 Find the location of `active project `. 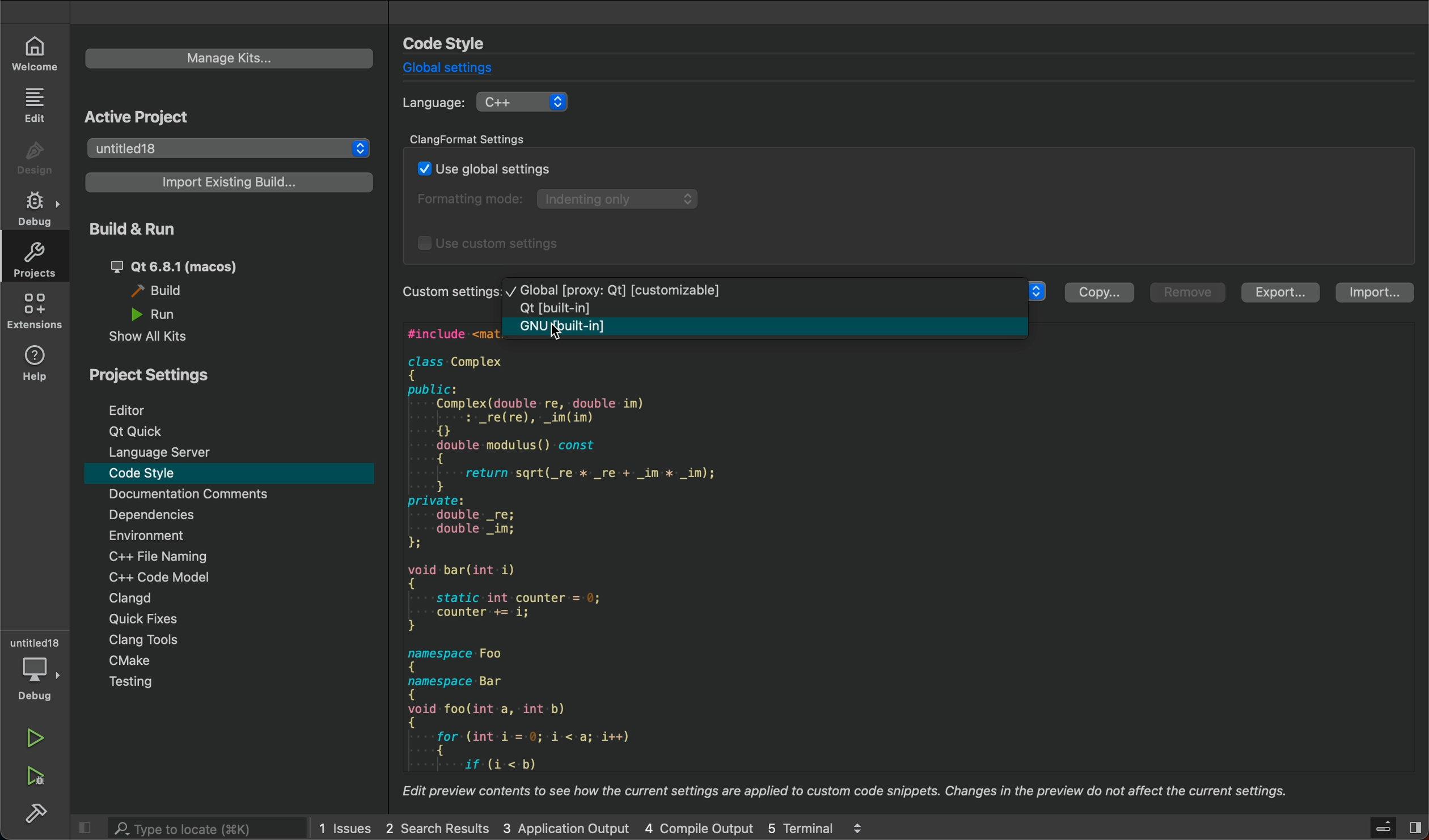

active project  is located at coordinates (139, 116).